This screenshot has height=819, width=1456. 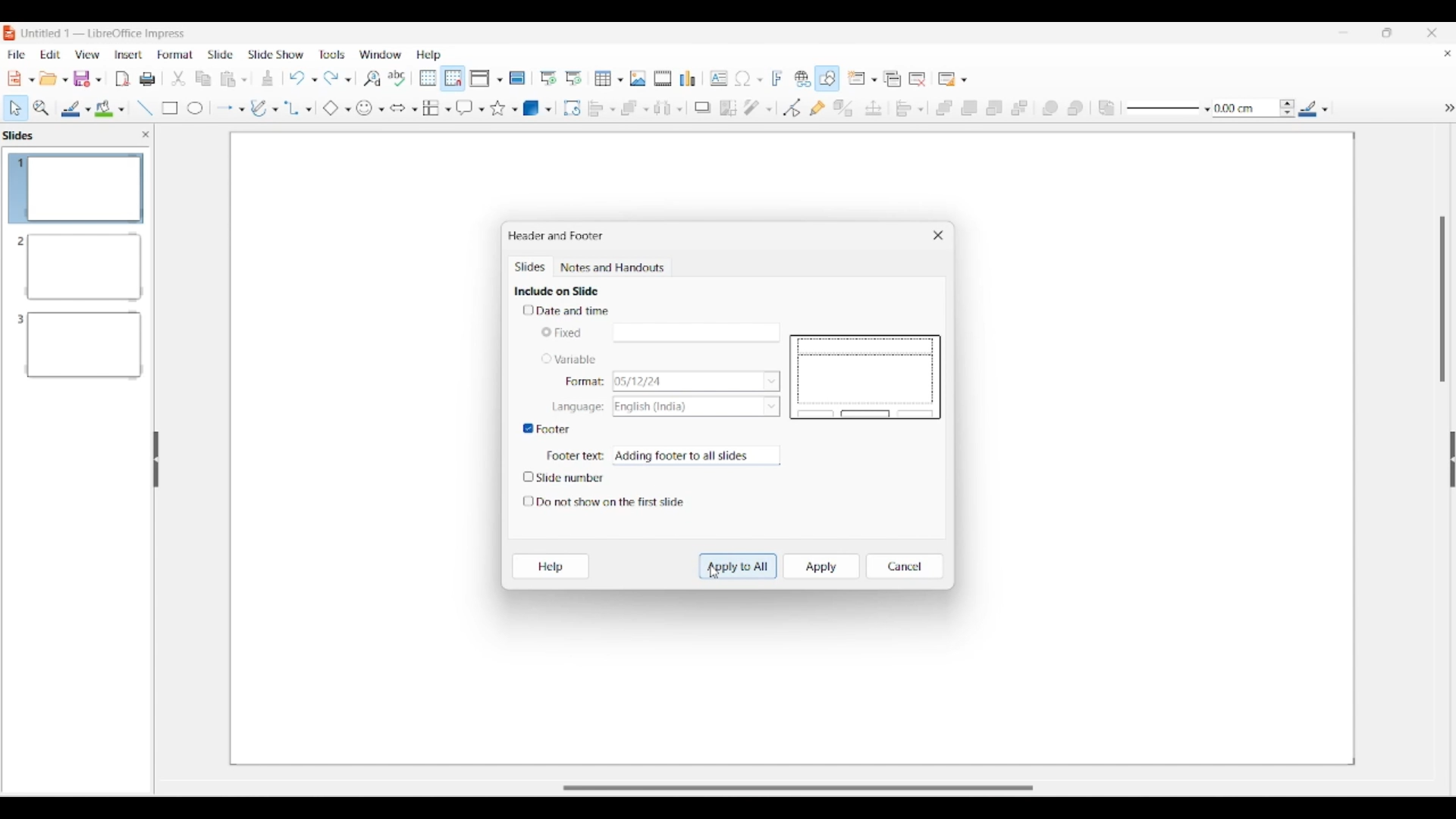 I want to click on Arrange options, so click(x=634, y=108).